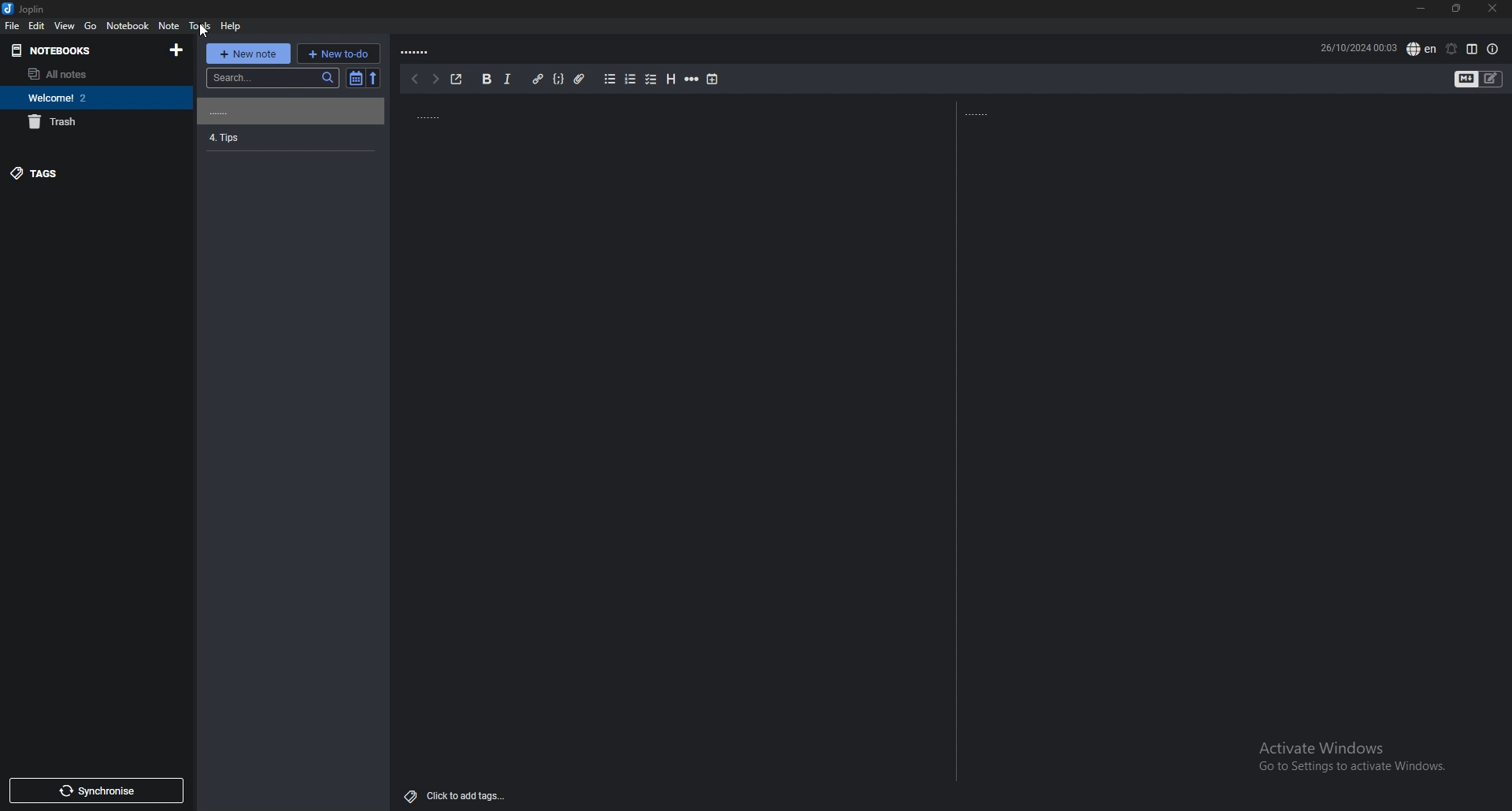  What do you see at coordinates (506, 80) in the screenshot?
I see `italic` at bounding box center [506, 80].